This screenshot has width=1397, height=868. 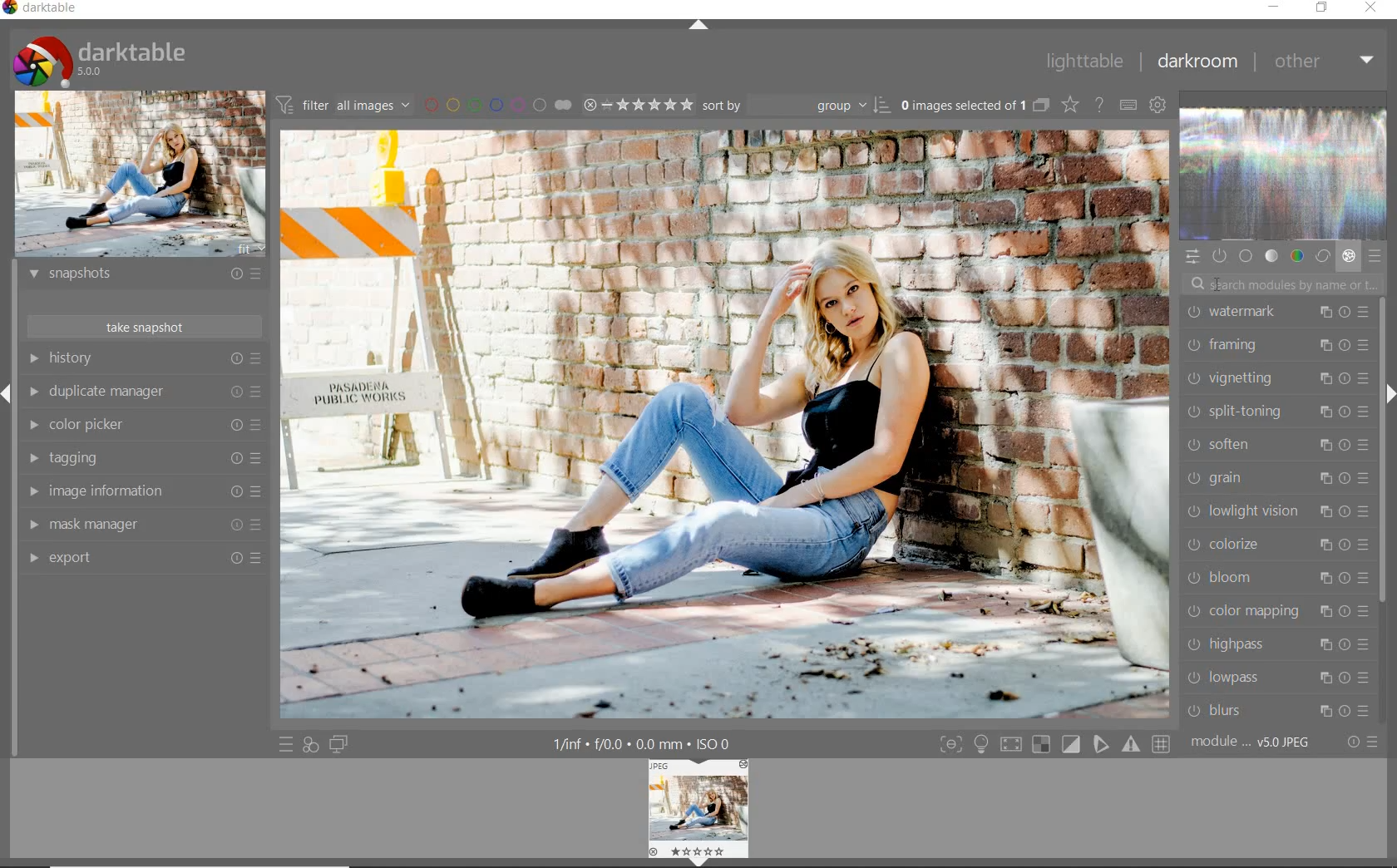 What do you see at coordinates (644, 743) in the screenshot?
I see `other display information` at bounding box center [644, 743].